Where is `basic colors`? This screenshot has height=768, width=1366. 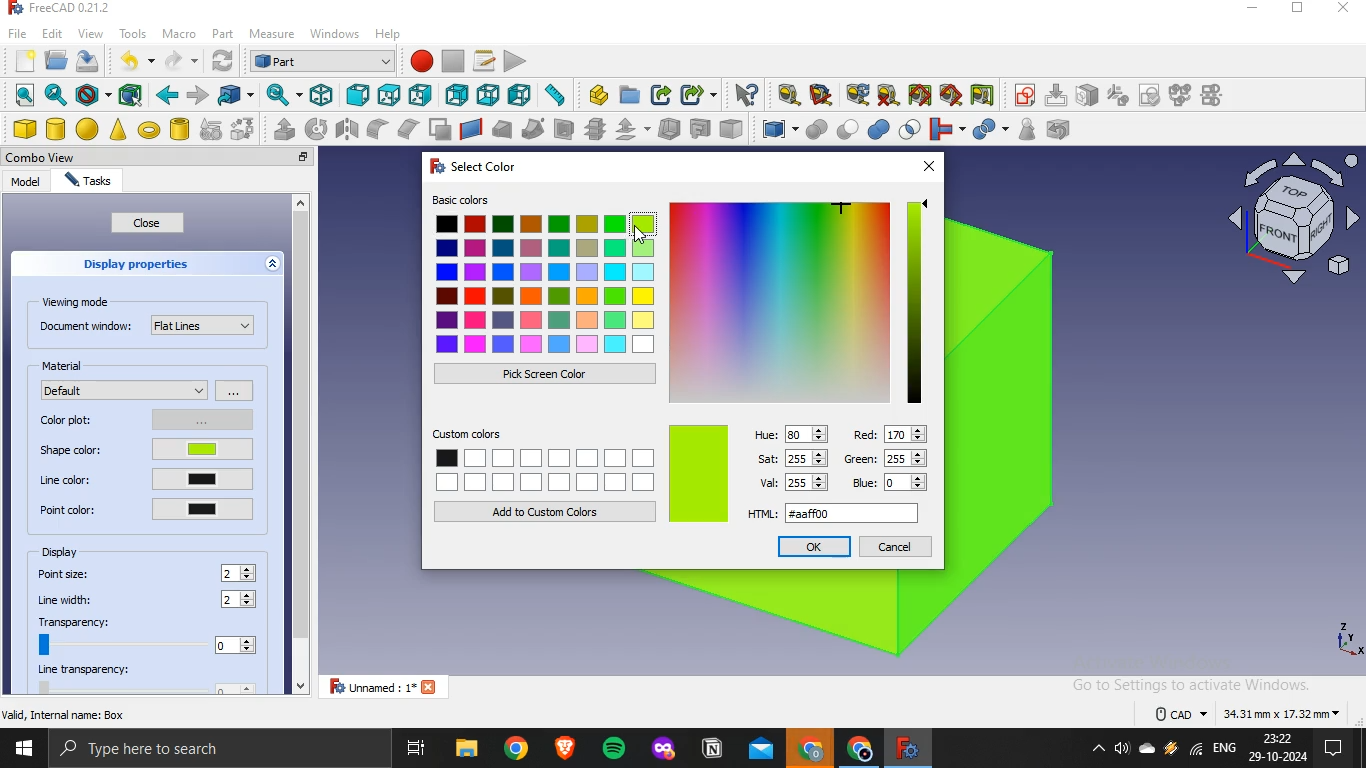
basic colors is located at coordinates (546, 275).